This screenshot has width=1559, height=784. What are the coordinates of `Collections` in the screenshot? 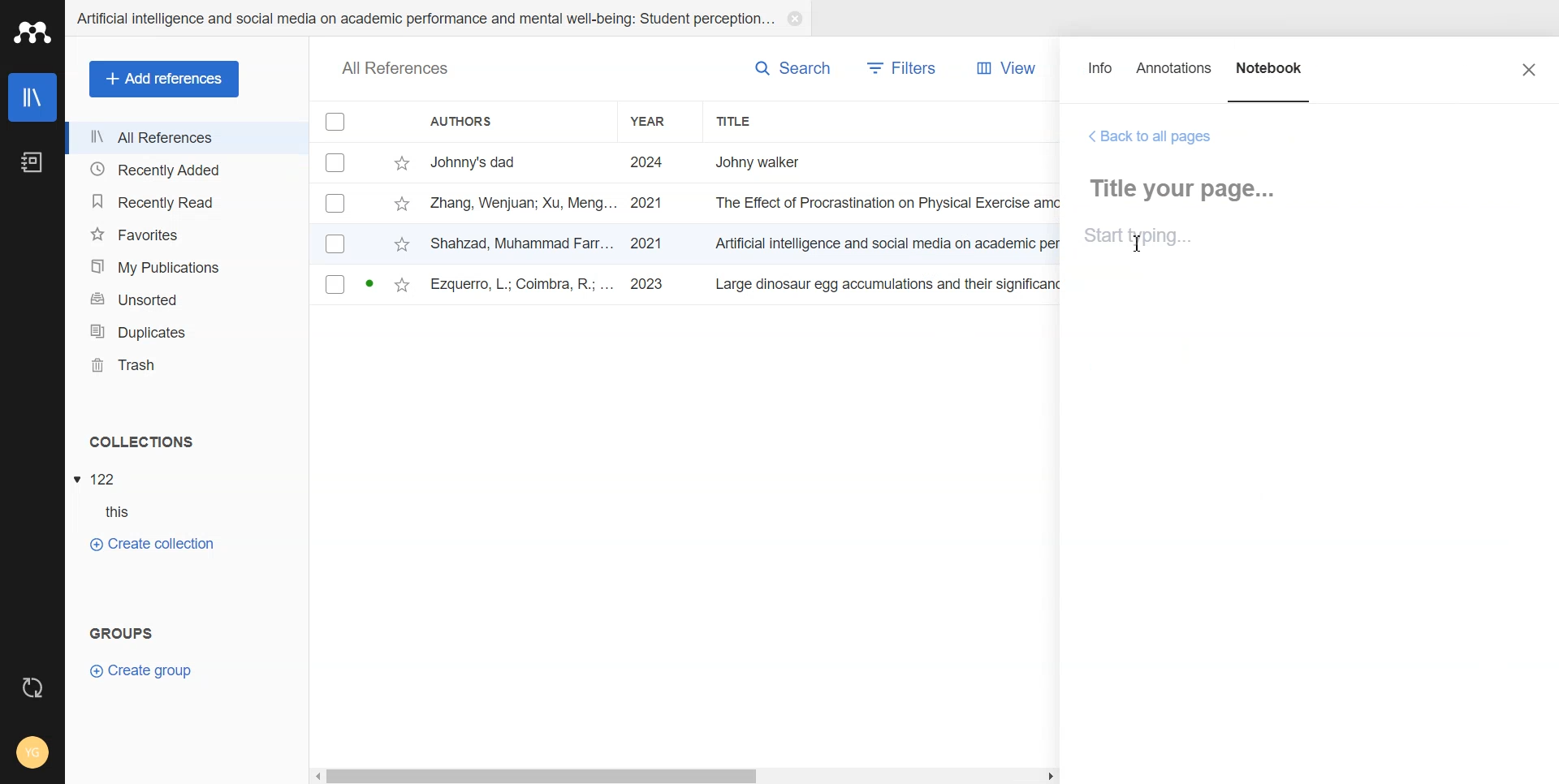 It's located at (188, 442).